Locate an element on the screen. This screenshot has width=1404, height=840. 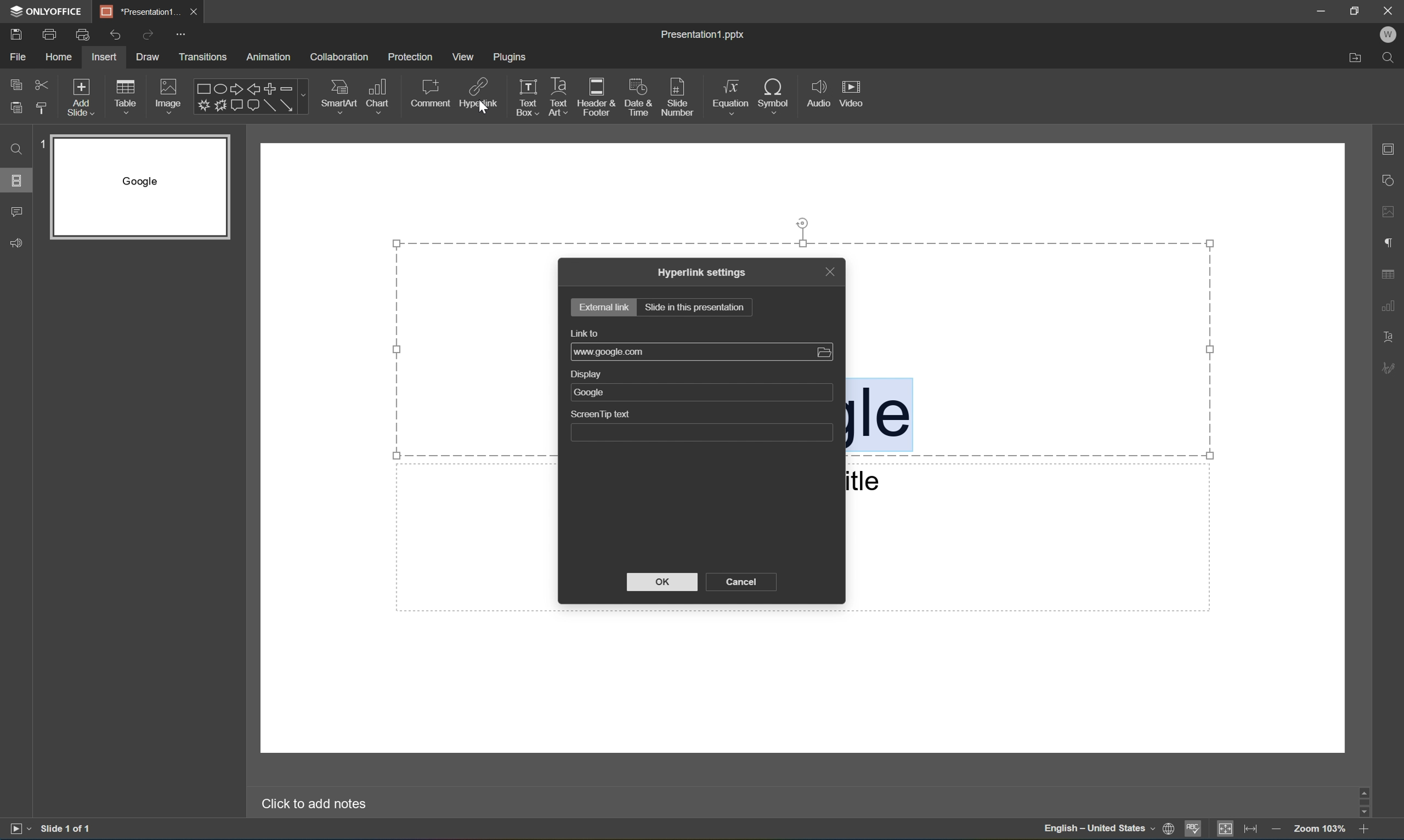
Shapes is located at coordinates (243, 97).